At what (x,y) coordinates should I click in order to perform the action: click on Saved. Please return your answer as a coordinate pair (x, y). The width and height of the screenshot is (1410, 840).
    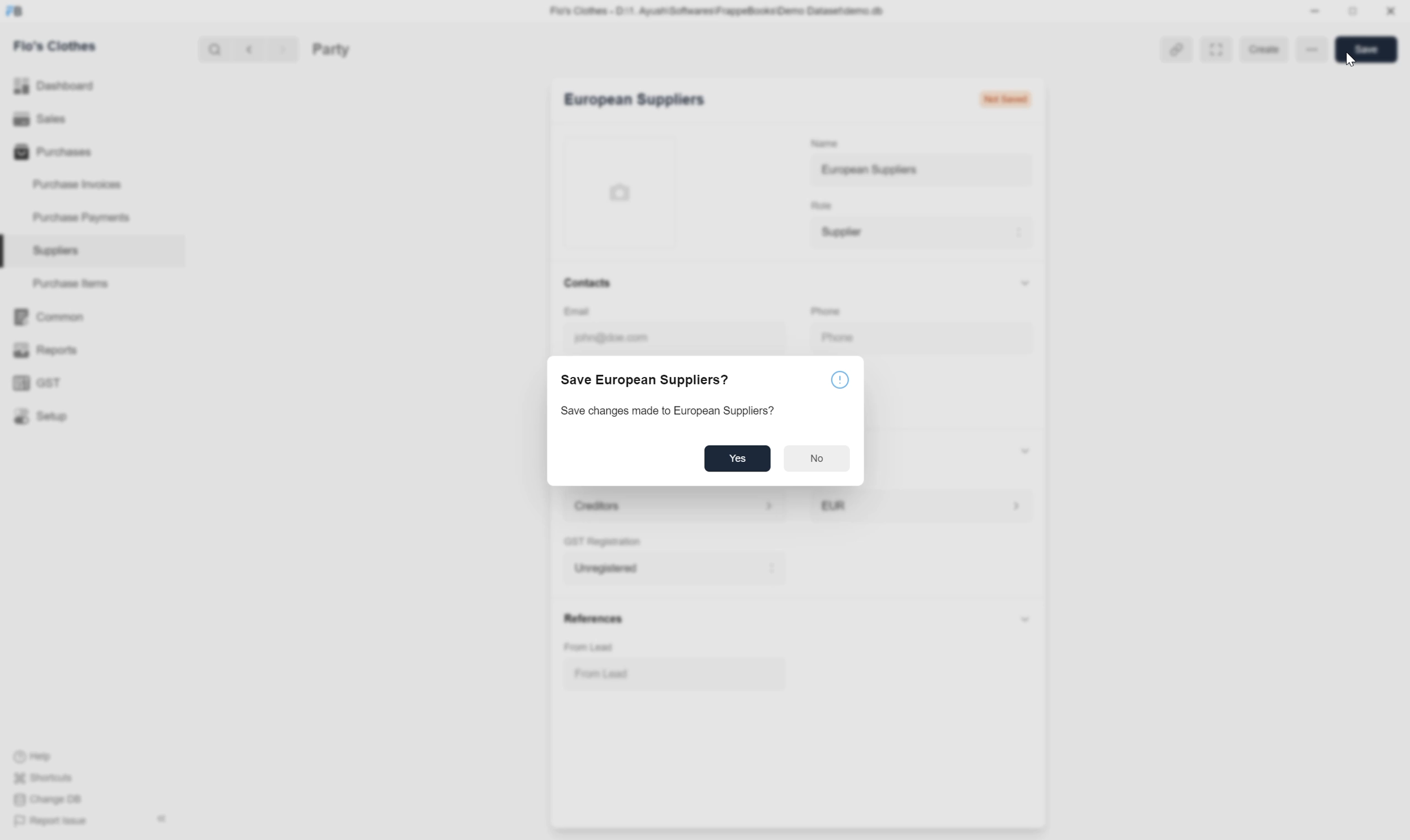
    Looking at the image, I should click on (1019, 101).